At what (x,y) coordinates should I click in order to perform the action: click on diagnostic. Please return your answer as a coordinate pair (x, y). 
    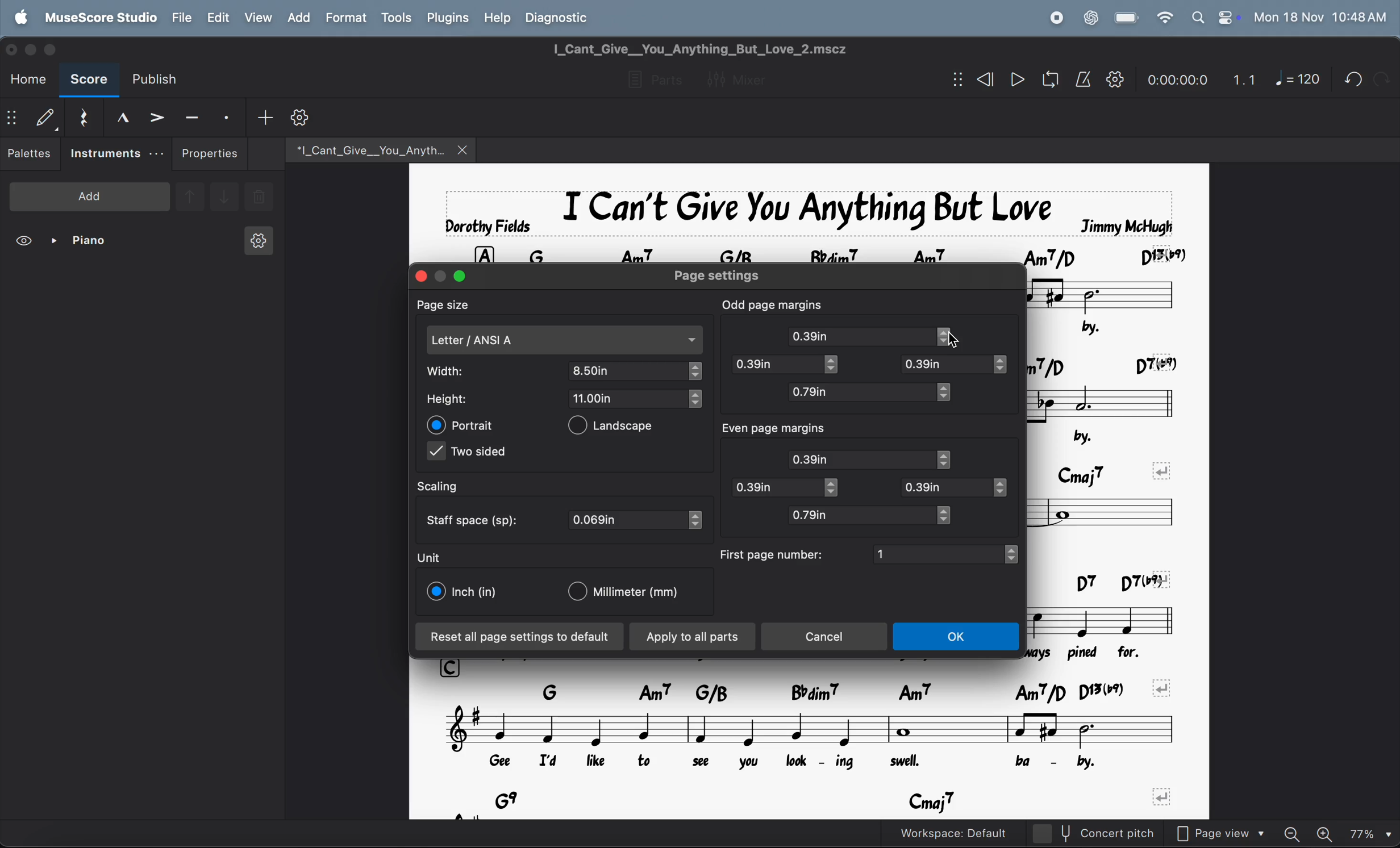
    Looking at the image, I should click on (563, 17).